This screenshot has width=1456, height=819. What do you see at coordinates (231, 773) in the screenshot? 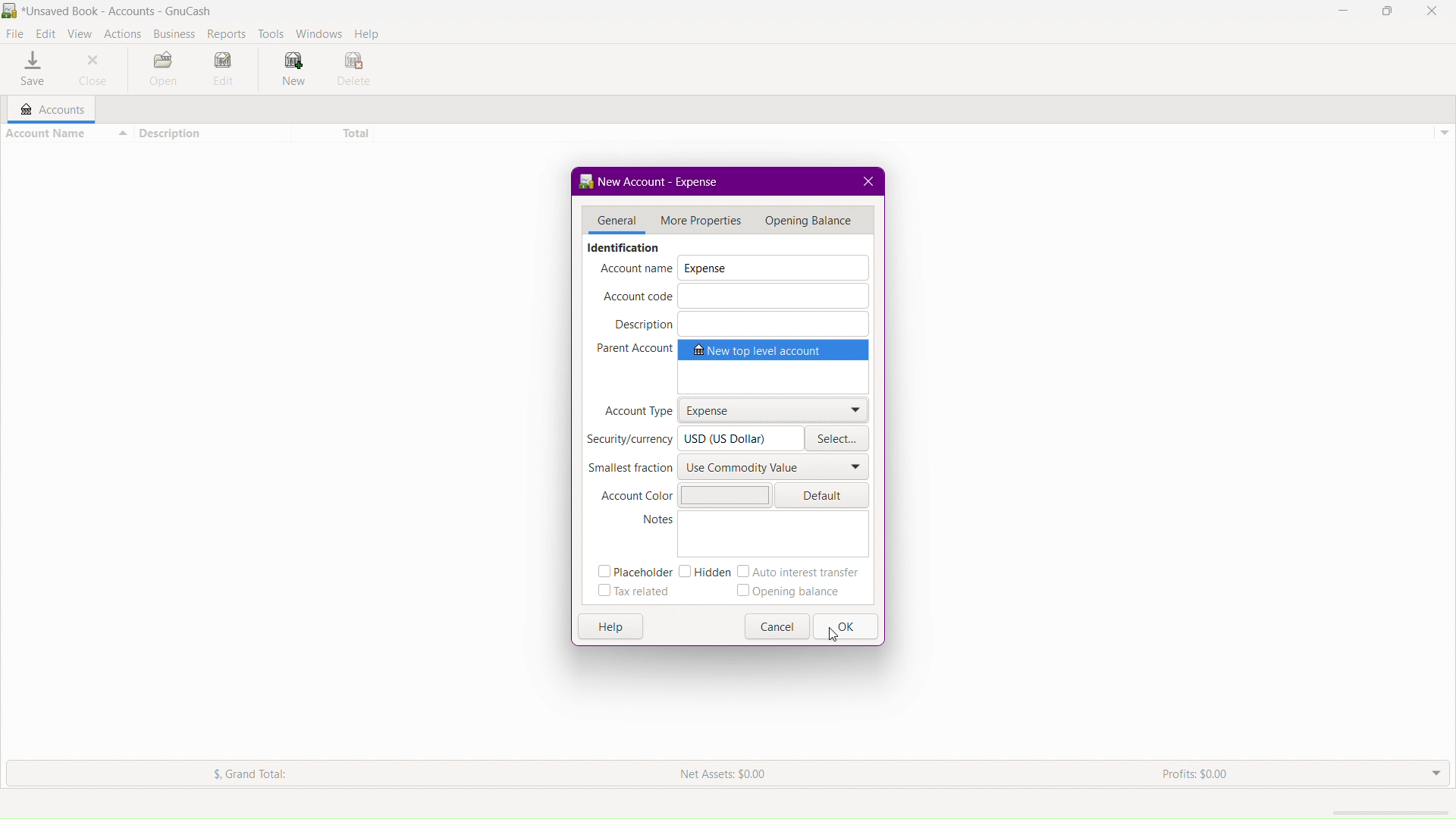
I see `$. Grand Total` at bounding box center [231, 773].